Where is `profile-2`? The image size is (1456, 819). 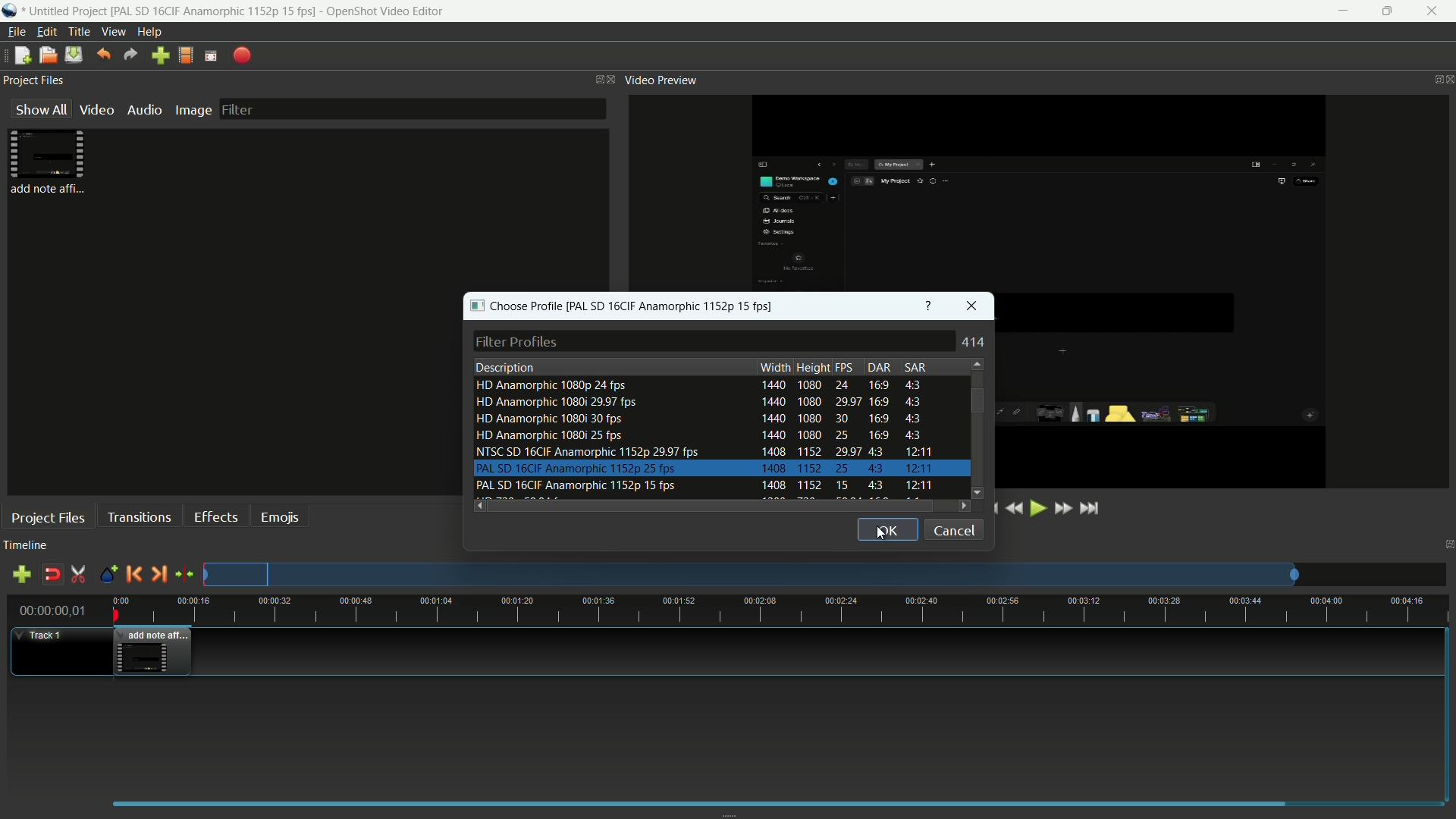 profile-2 is located at coordinates (700, 403).